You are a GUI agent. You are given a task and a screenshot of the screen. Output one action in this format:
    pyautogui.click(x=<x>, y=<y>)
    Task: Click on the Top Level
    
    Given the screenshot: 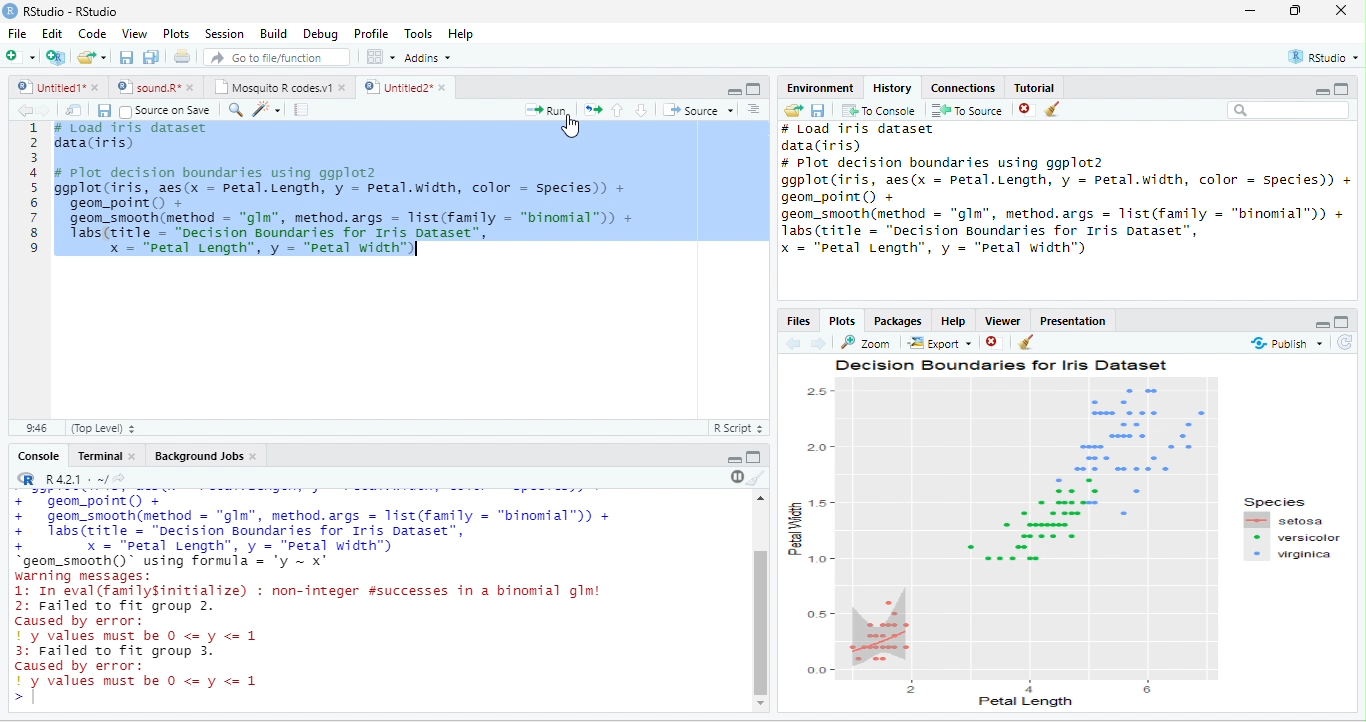 What is the action you would take?
    pyautogui.click(x=103, y=429)
    